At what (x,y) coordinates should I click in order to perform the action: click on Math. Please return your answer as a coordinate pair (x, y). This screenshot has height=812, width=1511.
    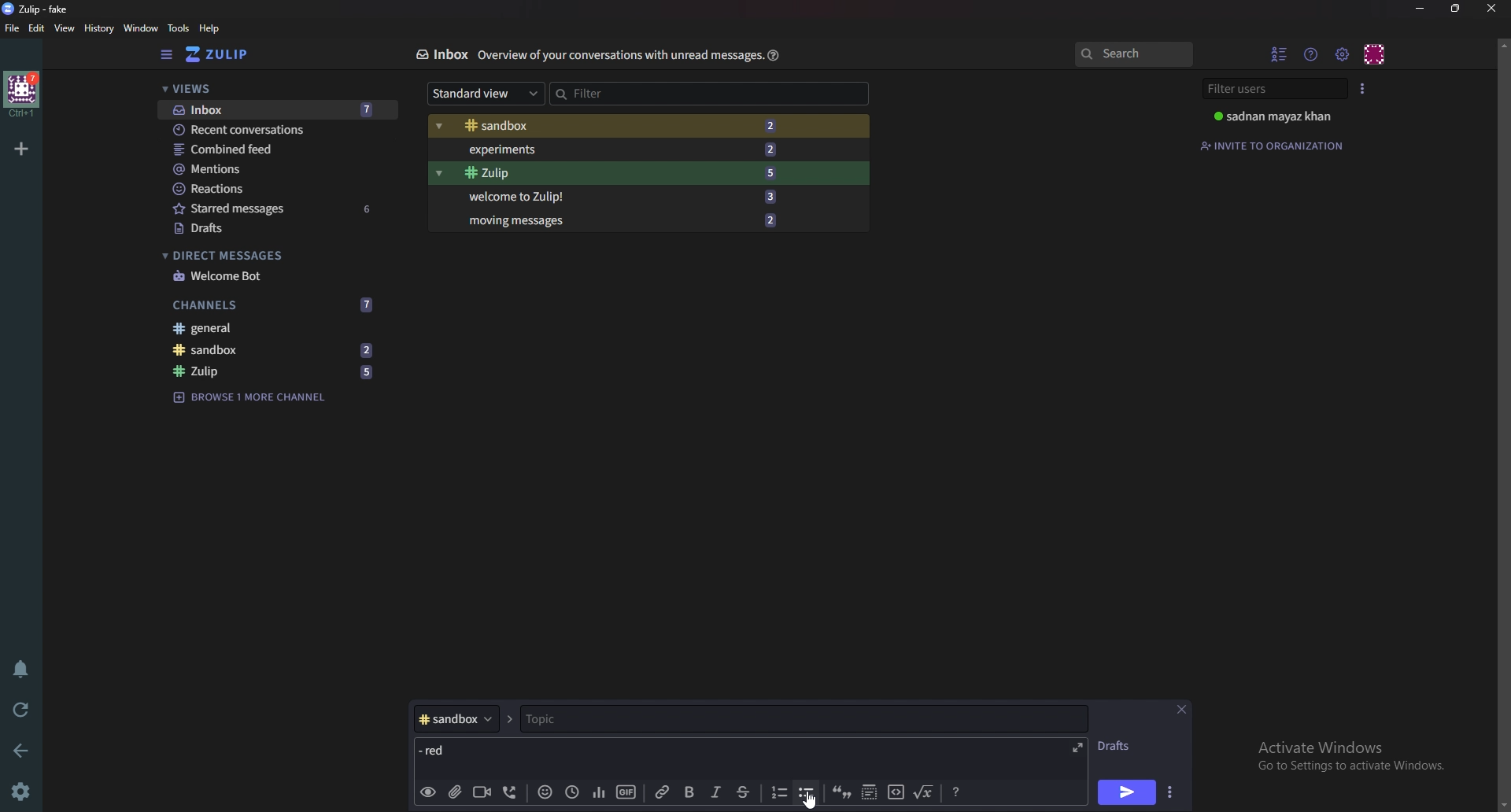
    Looking at the image, I should click on (925, 790).